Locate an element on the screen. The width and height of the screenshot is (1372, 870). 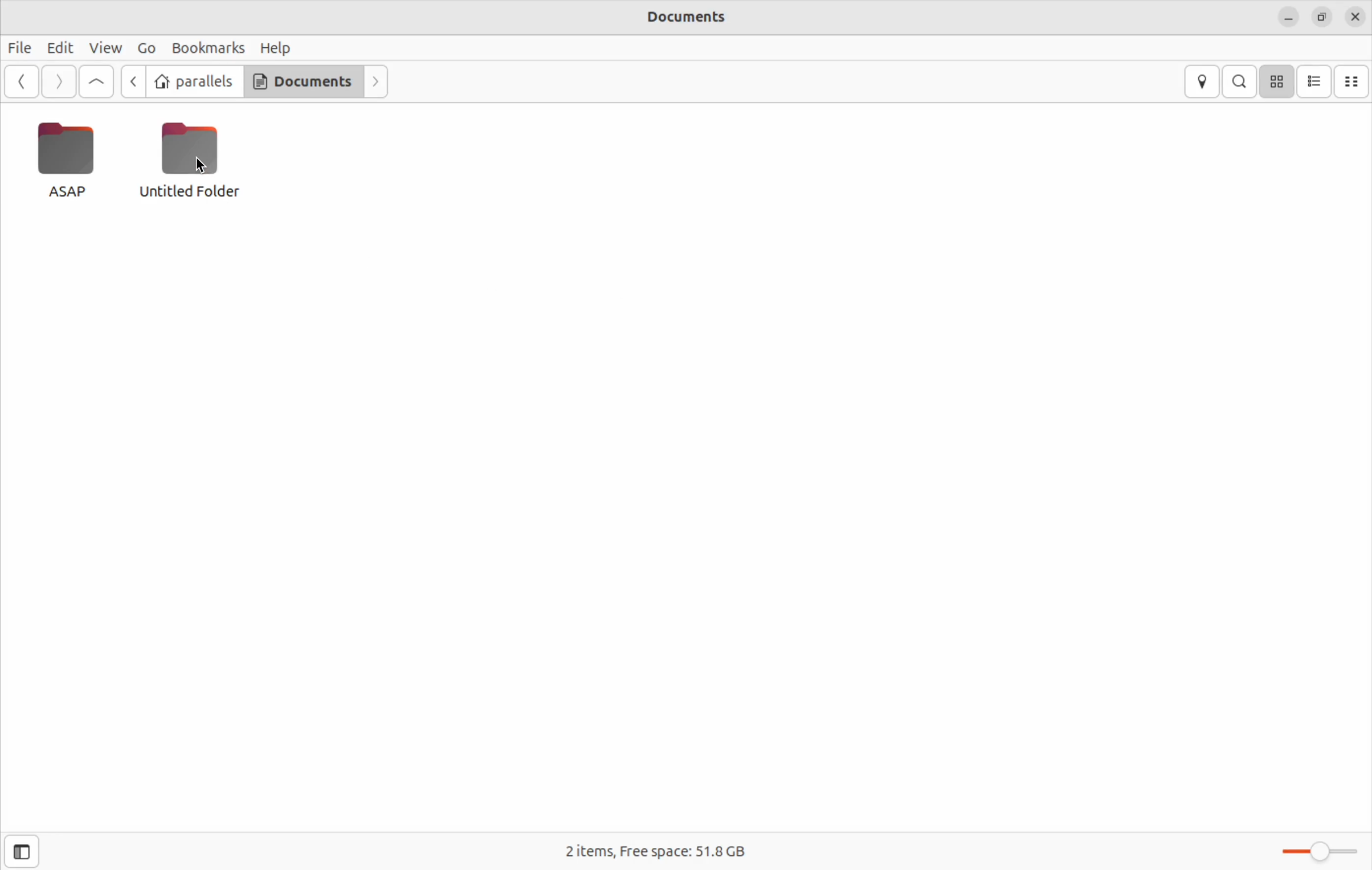
ASAP is located at coordinates (64, 159).